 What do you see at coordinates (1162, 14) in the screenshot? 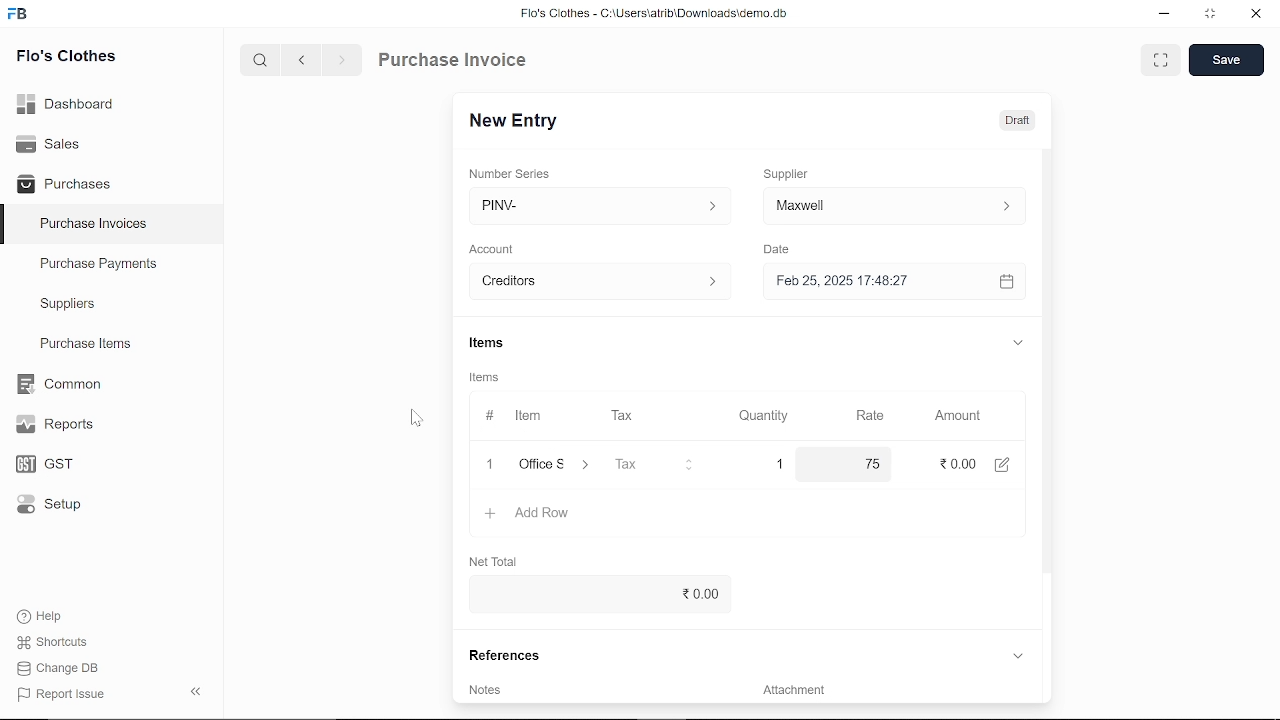
I see `minimize` at bounding box center [1162, 14].